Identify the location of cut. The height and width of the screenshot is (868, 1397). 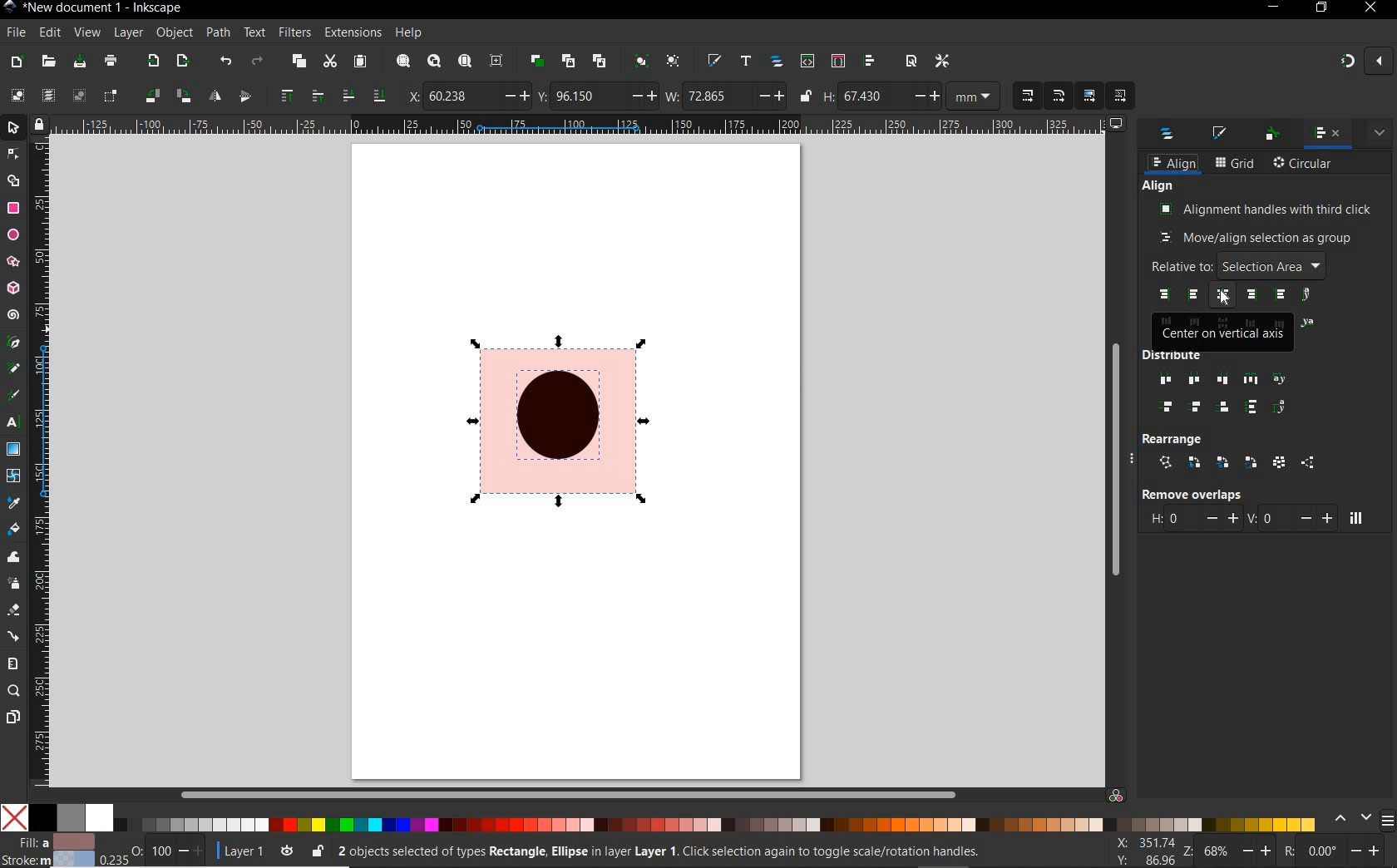
(330, 61).